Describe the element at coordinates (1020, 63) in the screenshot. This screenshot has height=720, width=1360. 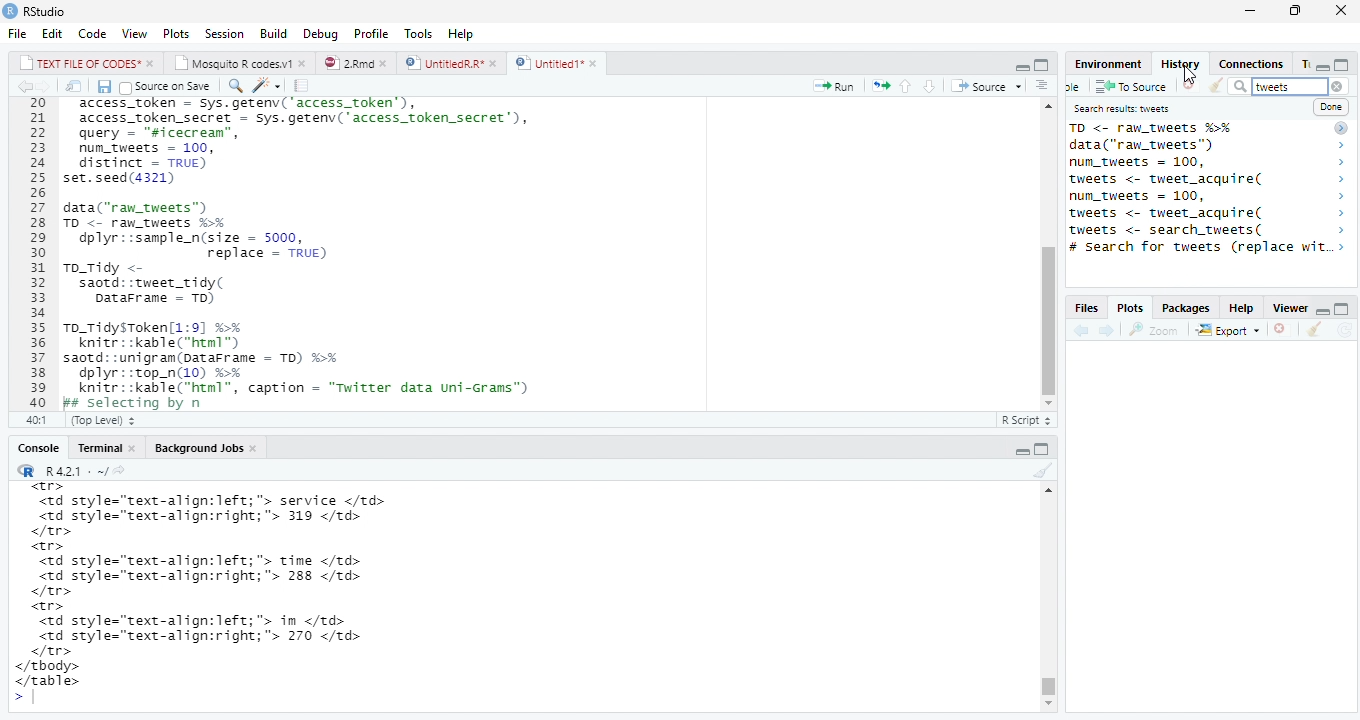
I see `minimze/maximize` at that location.